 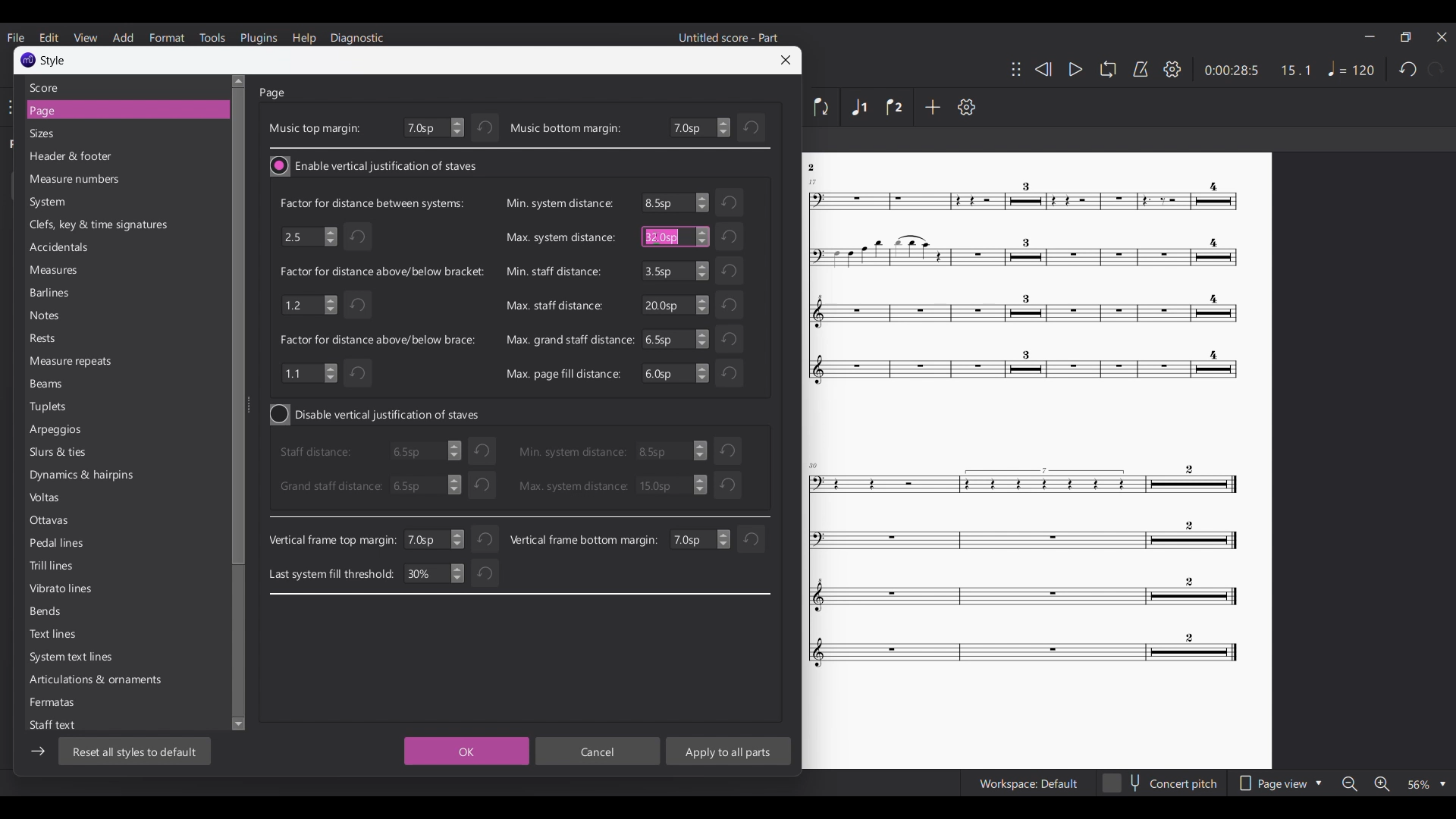 I want to click on , so click(x=1024, y=283).